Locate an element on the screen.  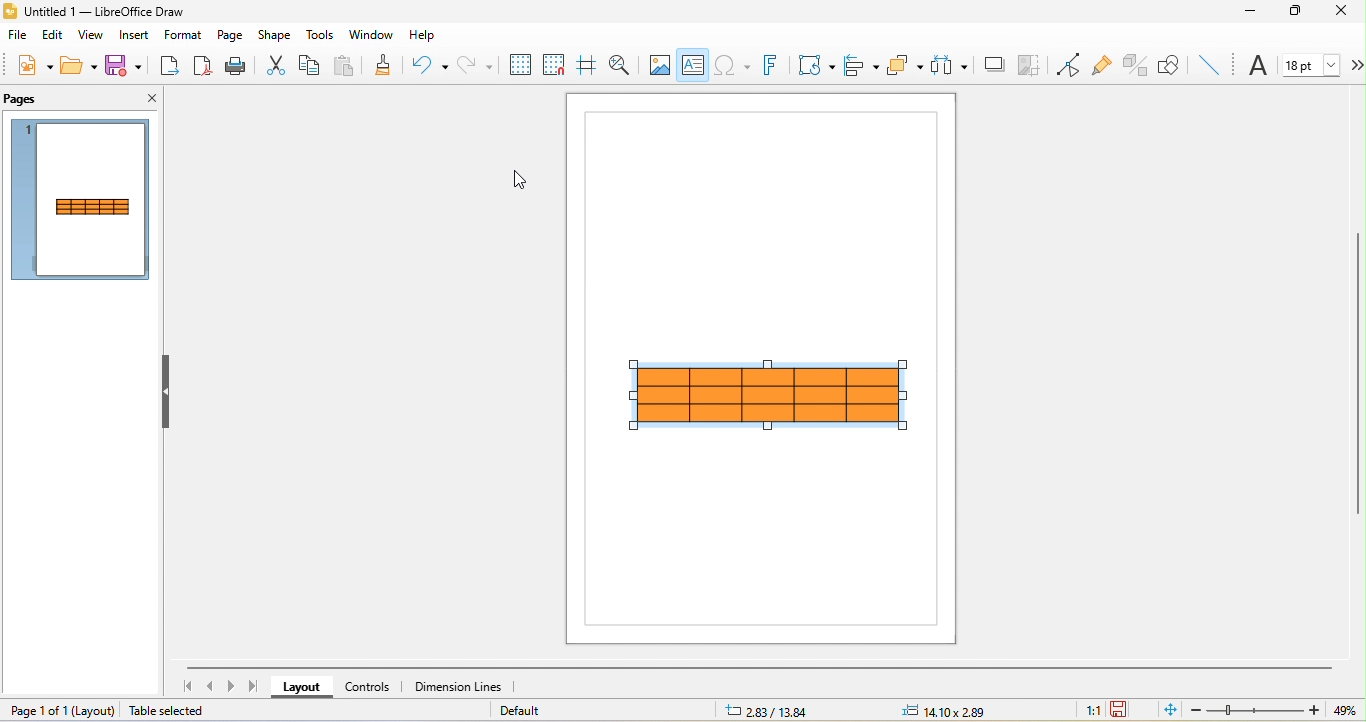
insert line is located at coordinates (1209, 64).